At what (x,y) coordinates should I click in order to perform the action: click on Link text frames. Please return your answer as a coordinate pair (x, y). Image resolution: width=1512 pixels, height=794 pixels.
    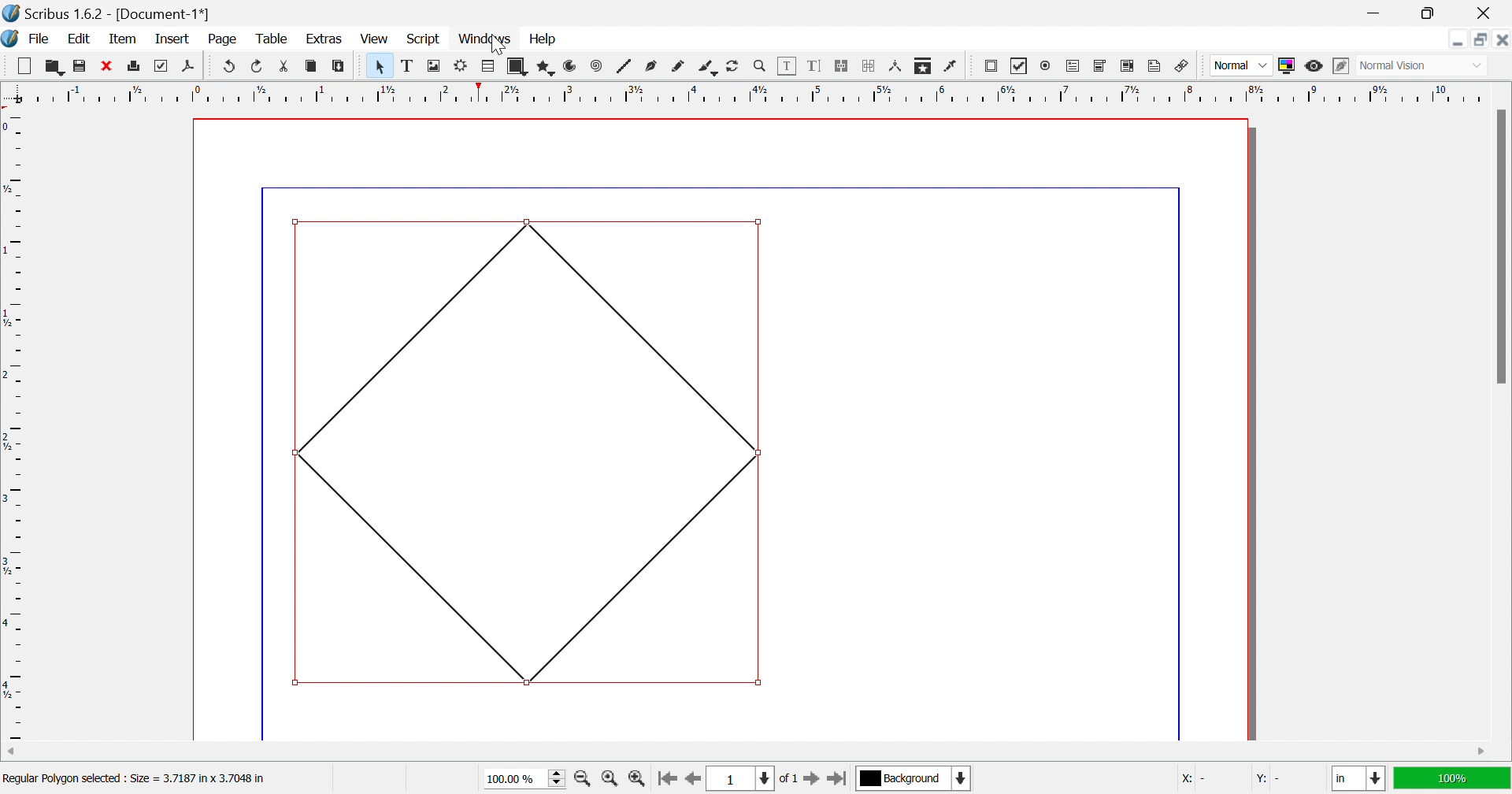
    Looking at the image, I should click on (840, 66).